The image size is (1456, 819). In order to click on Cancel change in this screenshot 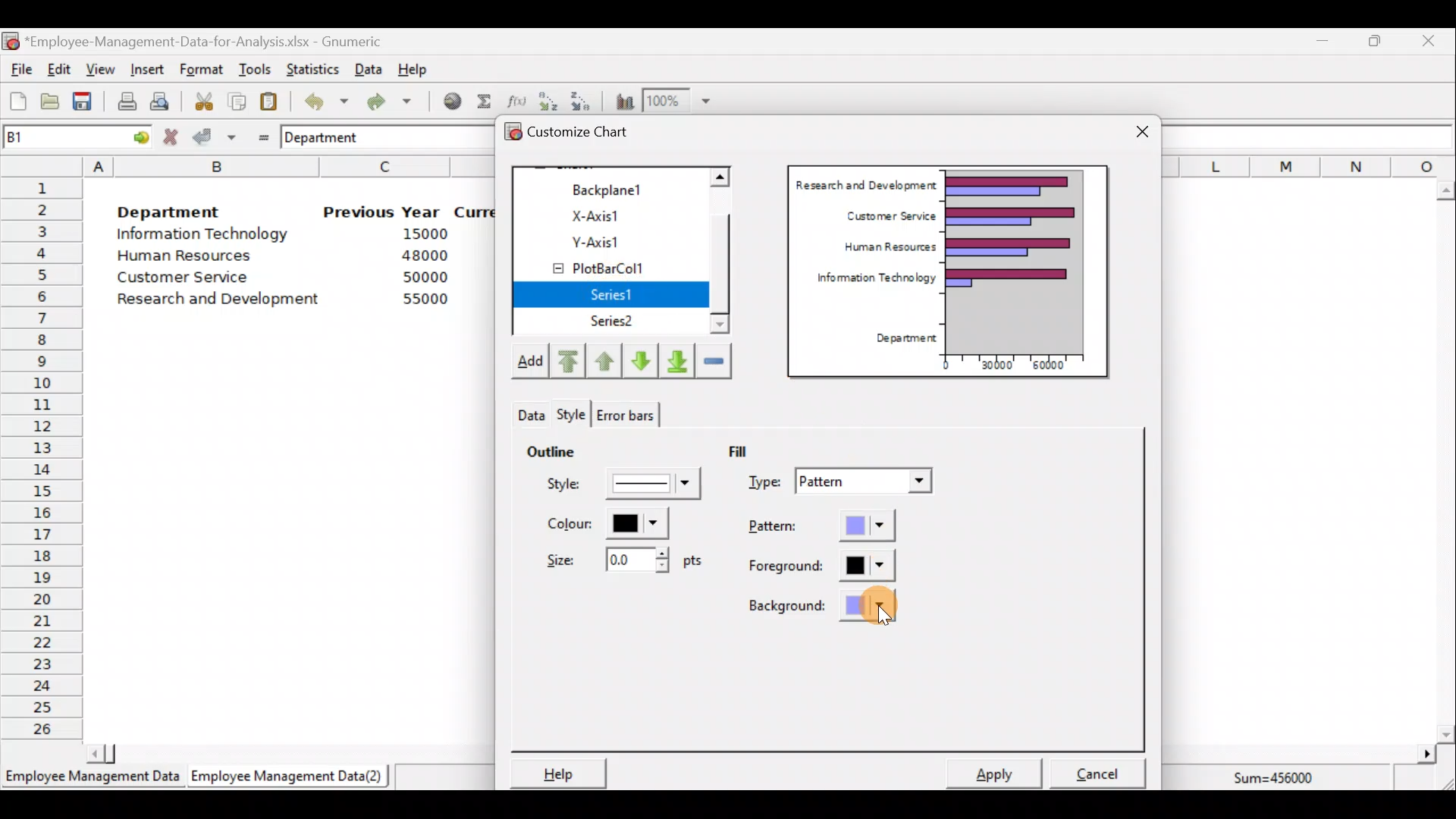, I will do `click(173, 136)`.